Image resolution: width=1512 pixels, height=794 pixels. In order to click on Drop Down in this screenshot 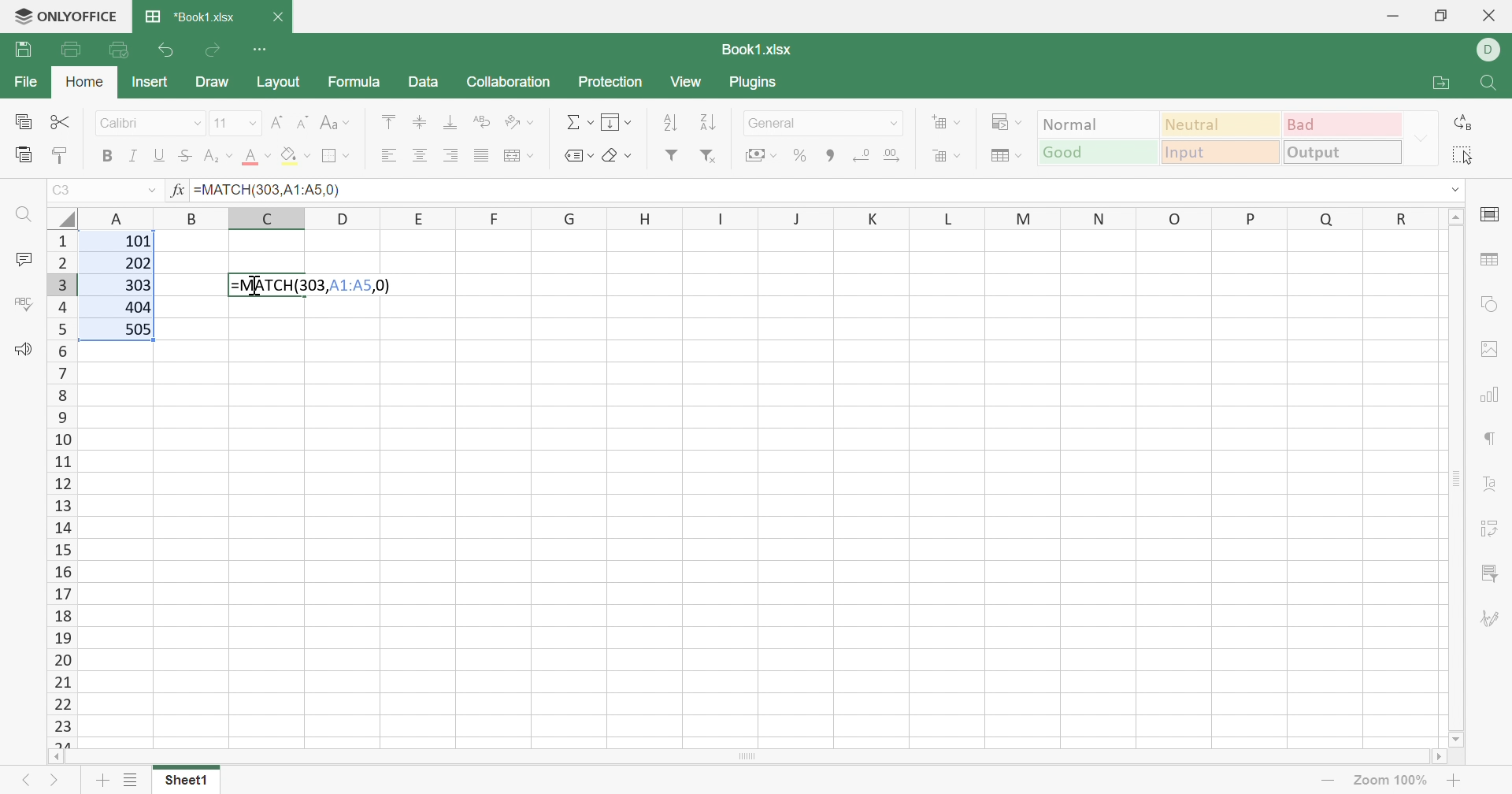, I will do `click(894, 123)`.